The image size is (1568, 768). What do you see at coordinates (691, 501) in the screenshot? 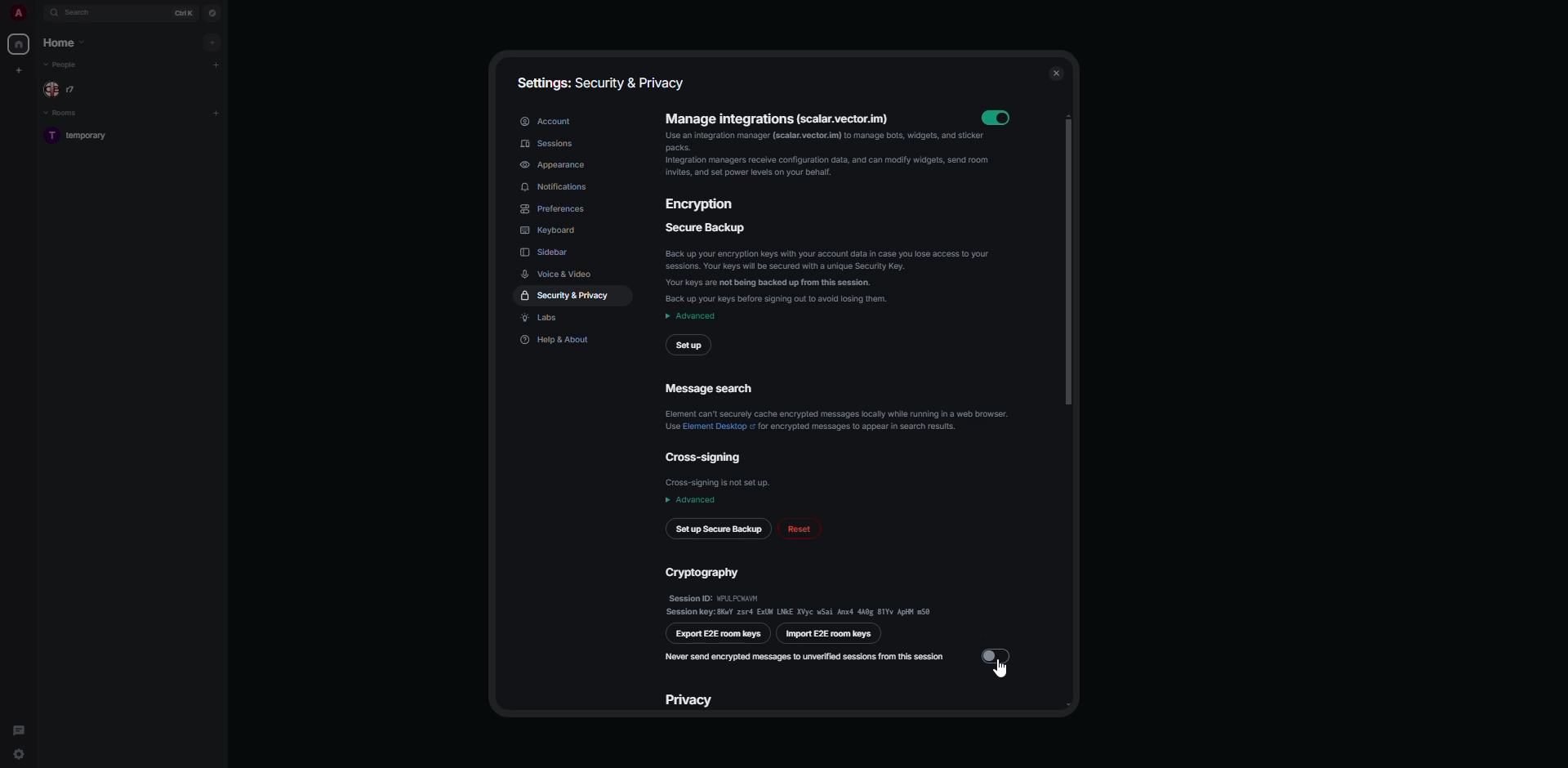
I see `advanced` at bounding box center [691, 501].